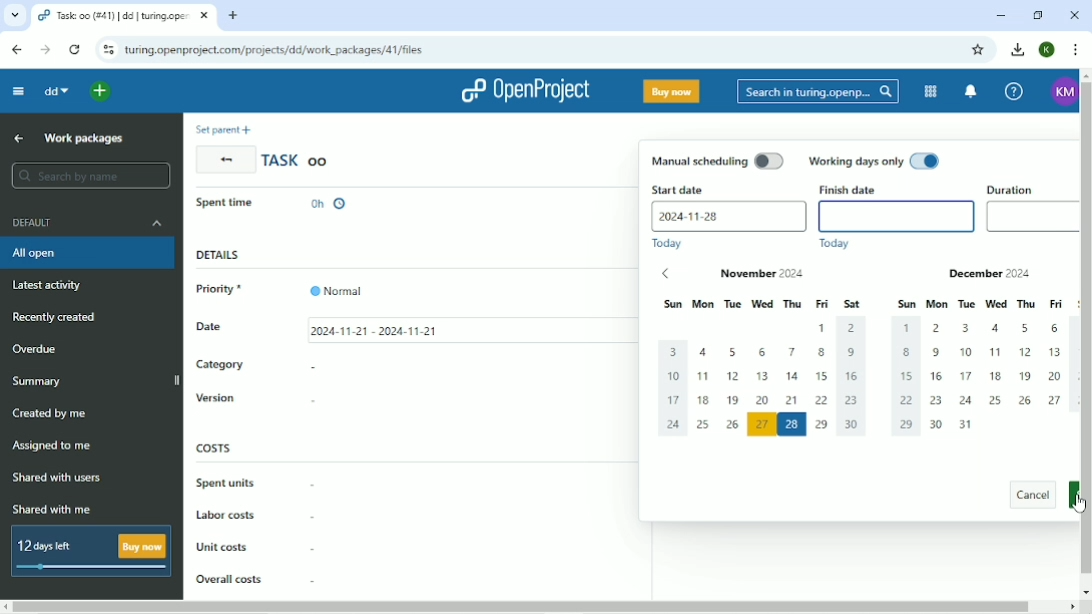 This screenshot has height=614, width=1092. What do you see at coordinates (1027, 188) in the screenshot?
I see `Duration` at bounding box center [1027, 188].